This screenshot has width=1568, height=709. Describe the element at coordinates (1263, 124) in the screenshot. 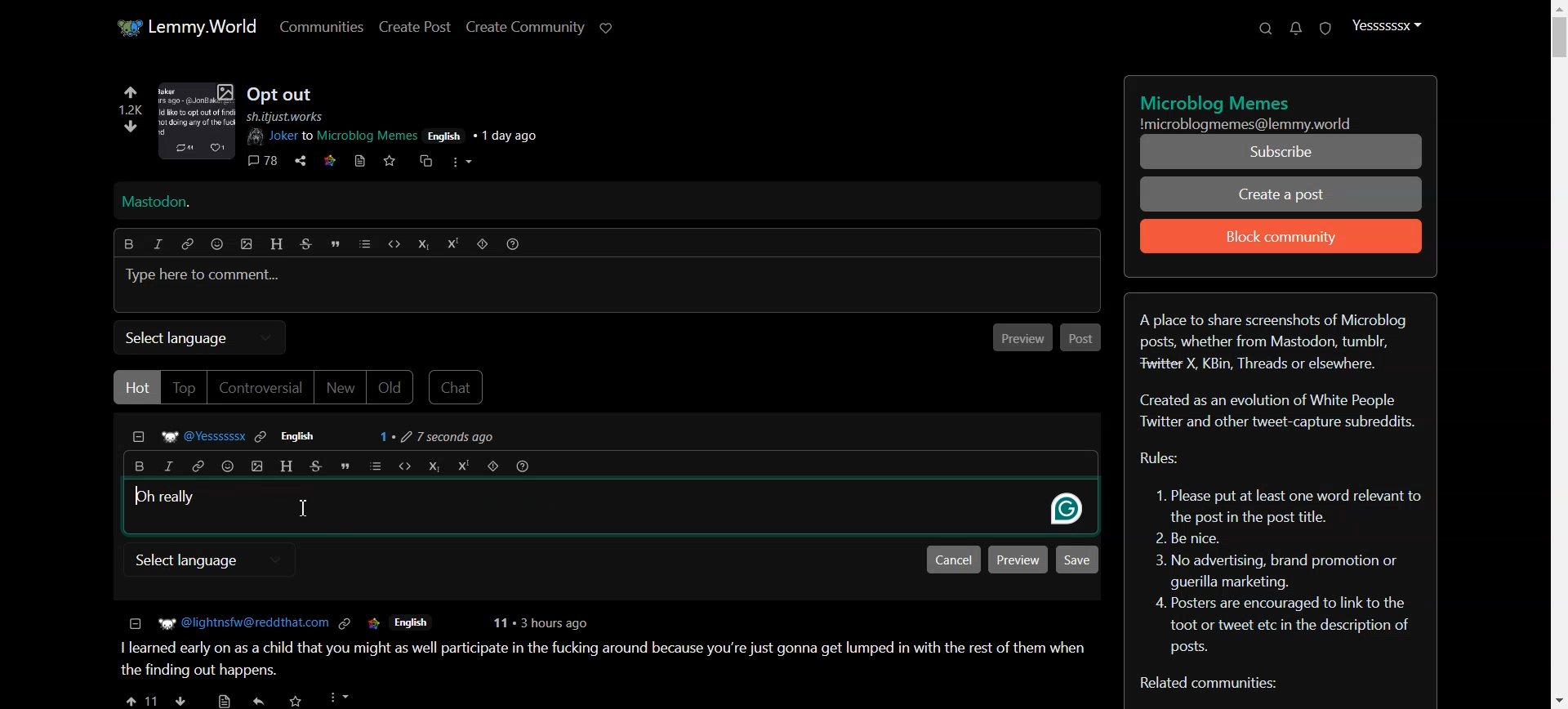

I see `Text` at that location.